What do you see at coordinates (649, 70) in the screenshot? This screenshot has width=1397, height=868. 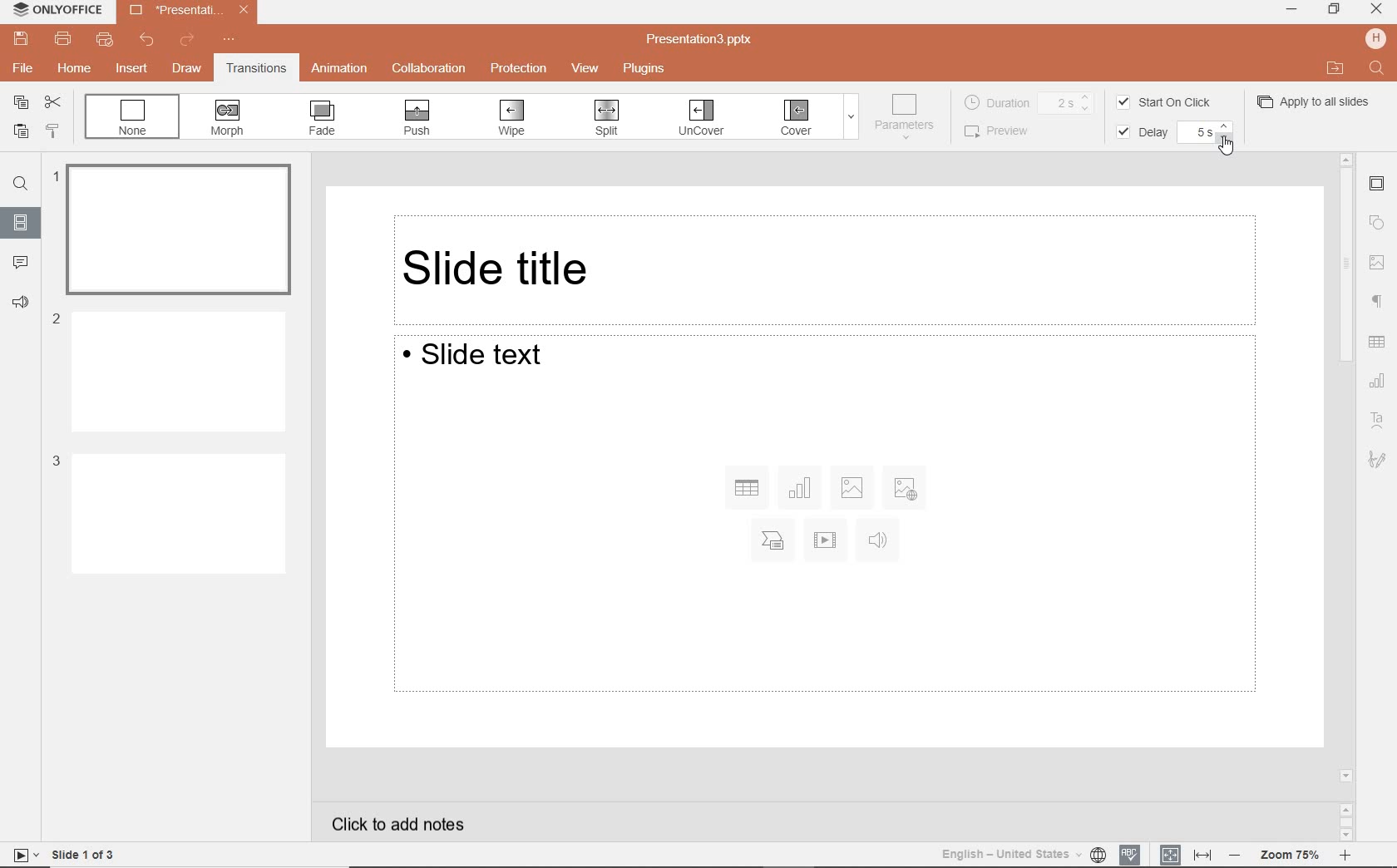 I see `plugins` at bounding box center [649, 70].